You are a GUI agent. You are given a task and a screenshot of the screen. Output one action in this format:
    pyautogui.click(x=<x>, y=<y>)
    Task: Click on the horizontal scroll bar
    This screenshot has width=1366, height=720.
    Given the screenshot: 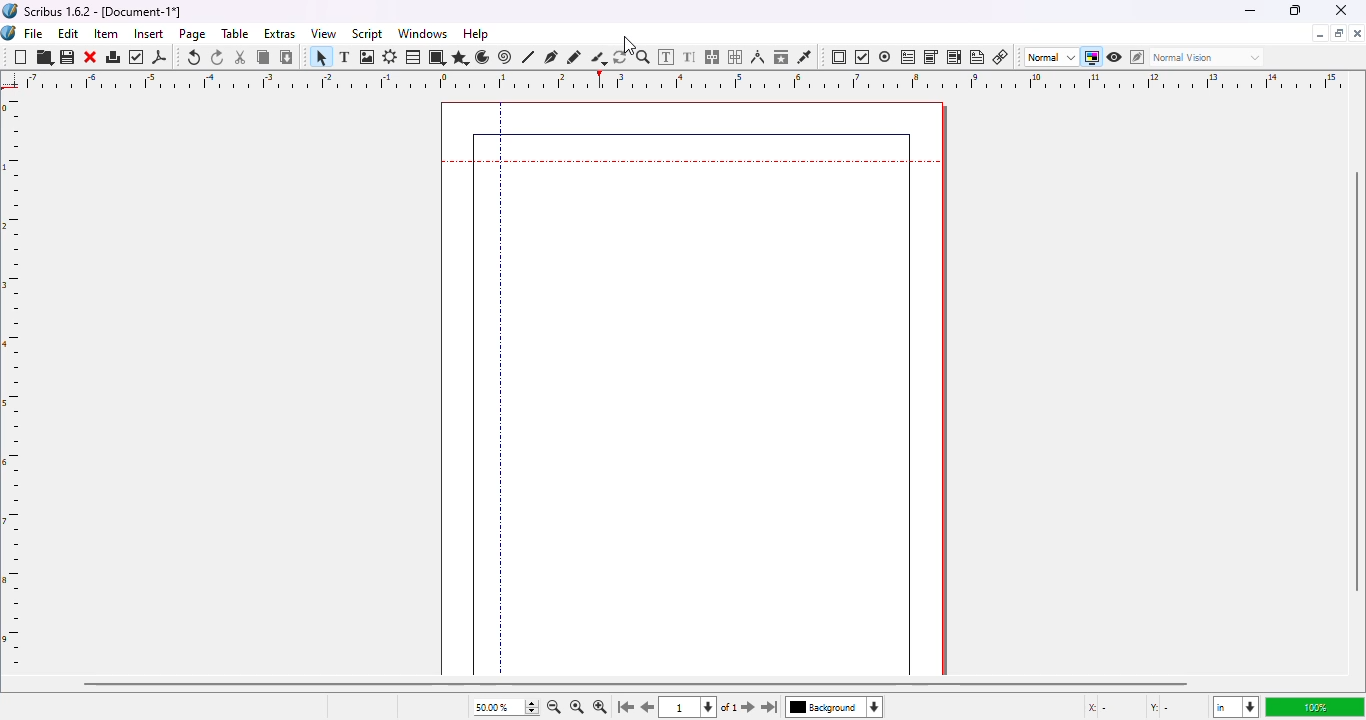 What is the action you would take?
    pyautogui.click(x=635, y=683)
    